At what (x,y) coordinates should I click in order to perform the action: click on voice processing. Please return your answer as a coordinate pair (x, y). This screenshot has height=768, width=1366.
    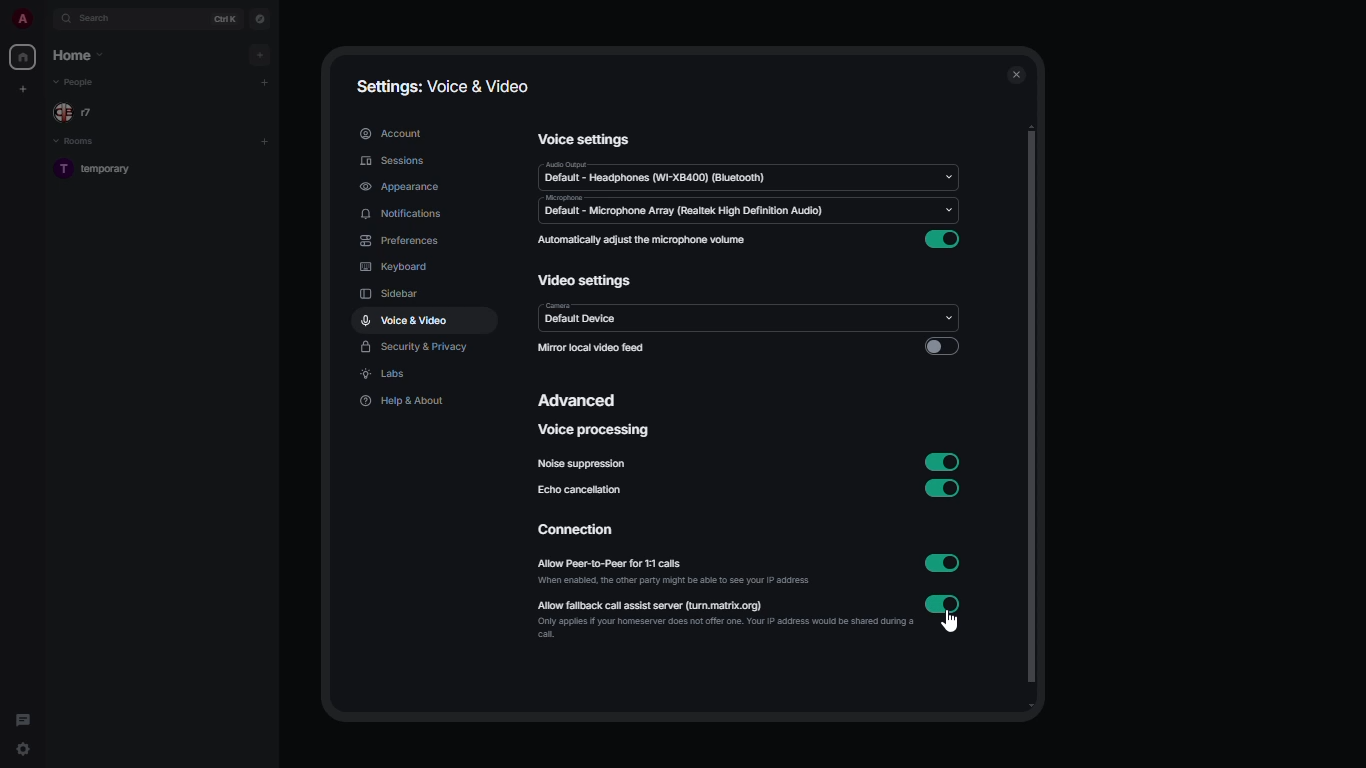
    Looking at the image, I should click on (597, 430).